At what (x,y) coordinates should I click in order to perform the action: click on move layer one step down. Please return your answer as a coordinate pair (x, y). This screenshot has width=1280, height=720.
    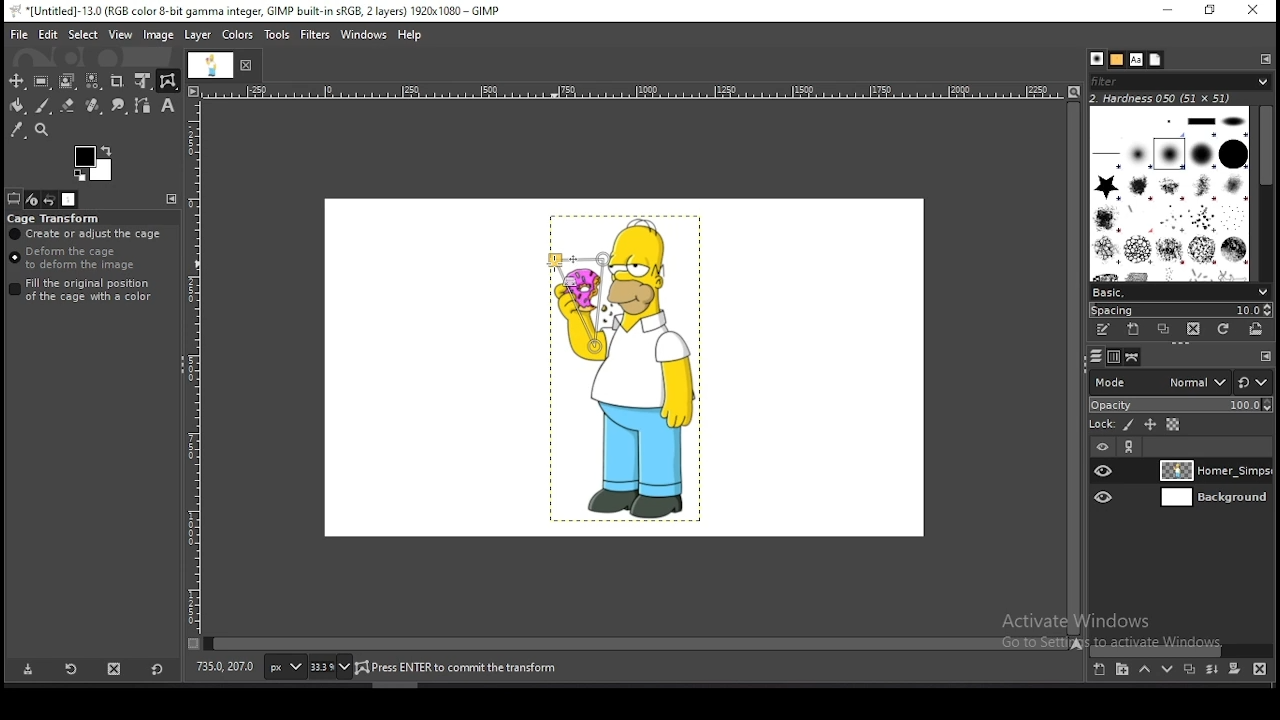
    Looking at the image, I should click on (1168, 671).